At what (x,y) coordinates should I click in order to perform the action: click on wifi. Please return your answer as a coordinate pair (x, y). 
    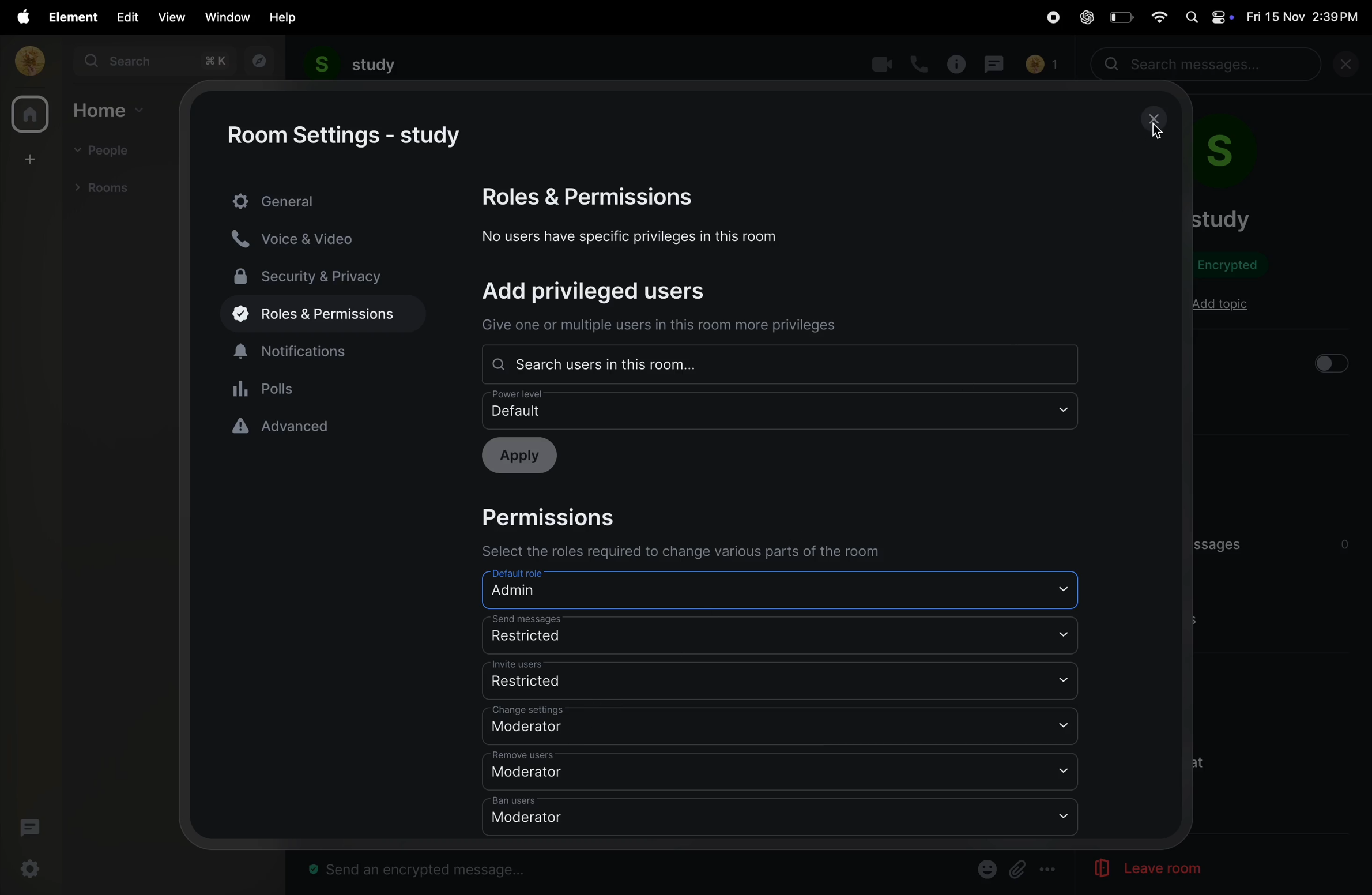
    Looking at the image, I should click on (1155, 16).